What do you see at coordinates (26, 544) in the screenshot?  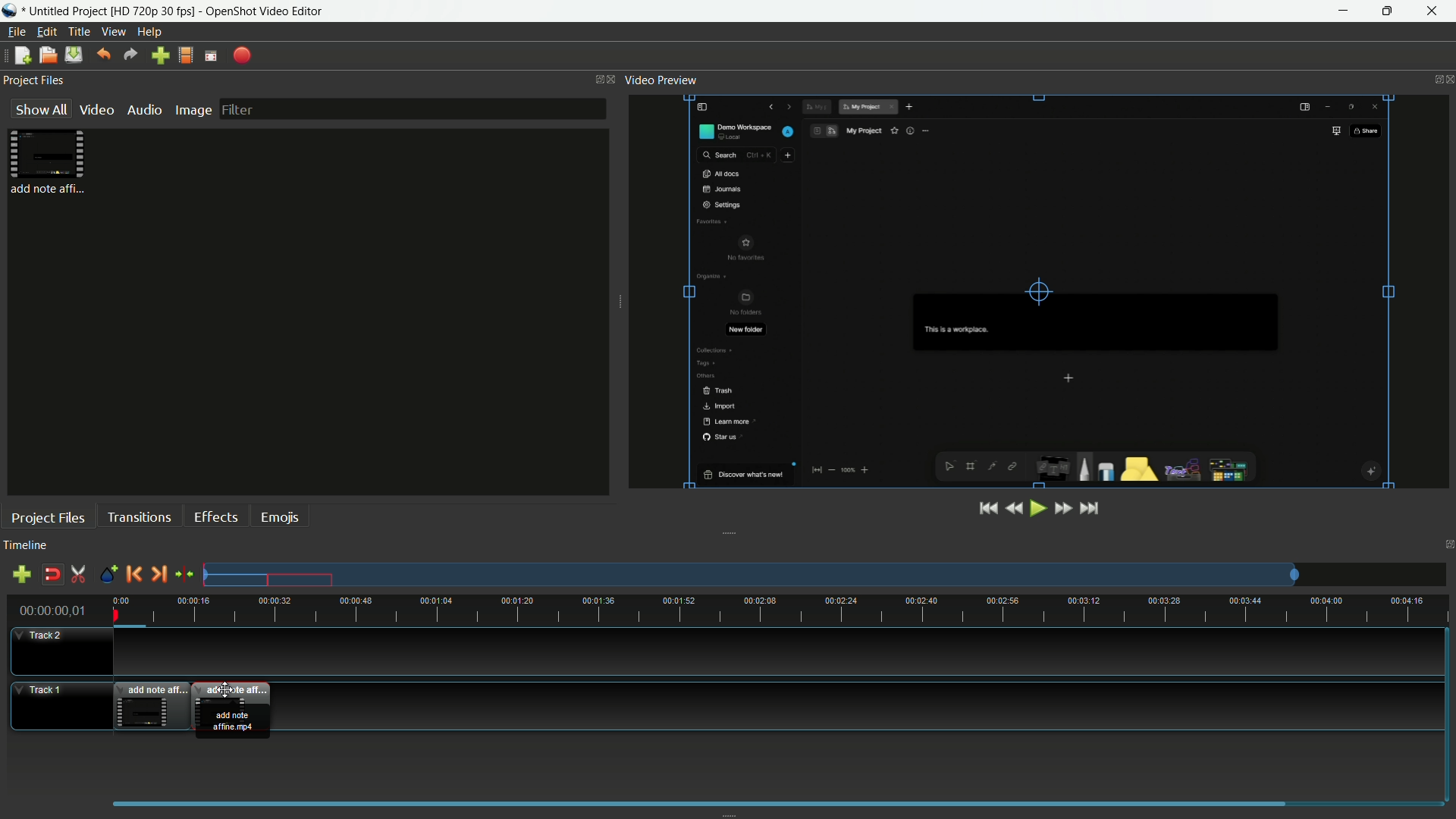 I see `timeline` at bounding box center [26, 544].